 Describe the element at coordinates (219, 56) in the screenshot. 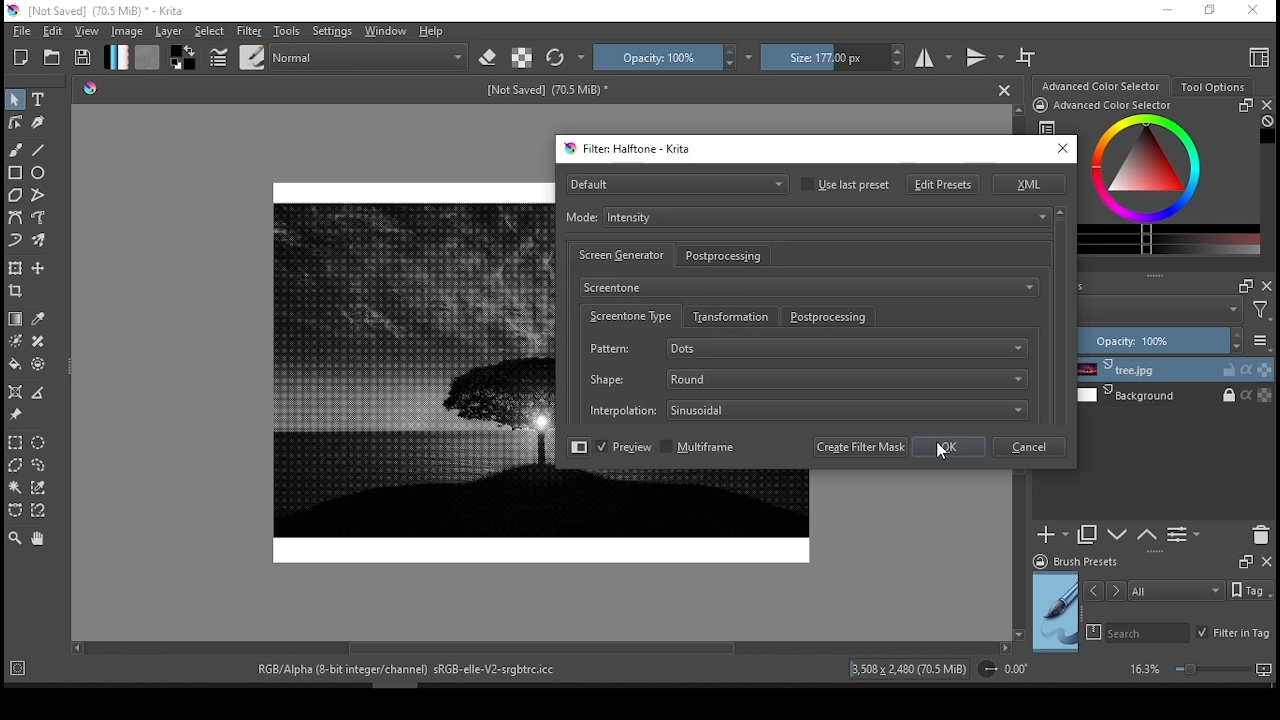

I see `edit brush settings` at that location.